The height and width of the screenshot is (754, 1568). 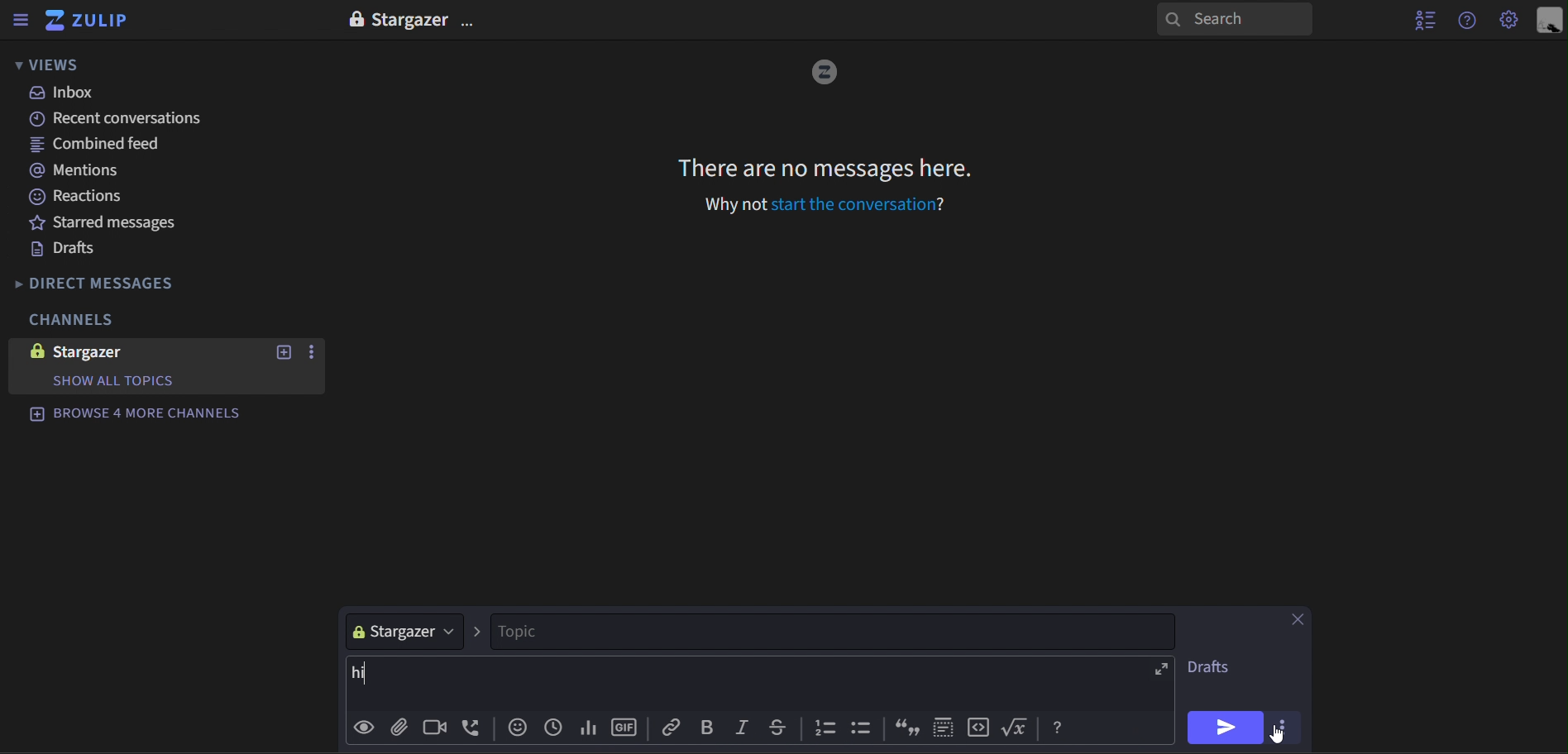 I want to click on hide user list, so click(x=1422, y=20).